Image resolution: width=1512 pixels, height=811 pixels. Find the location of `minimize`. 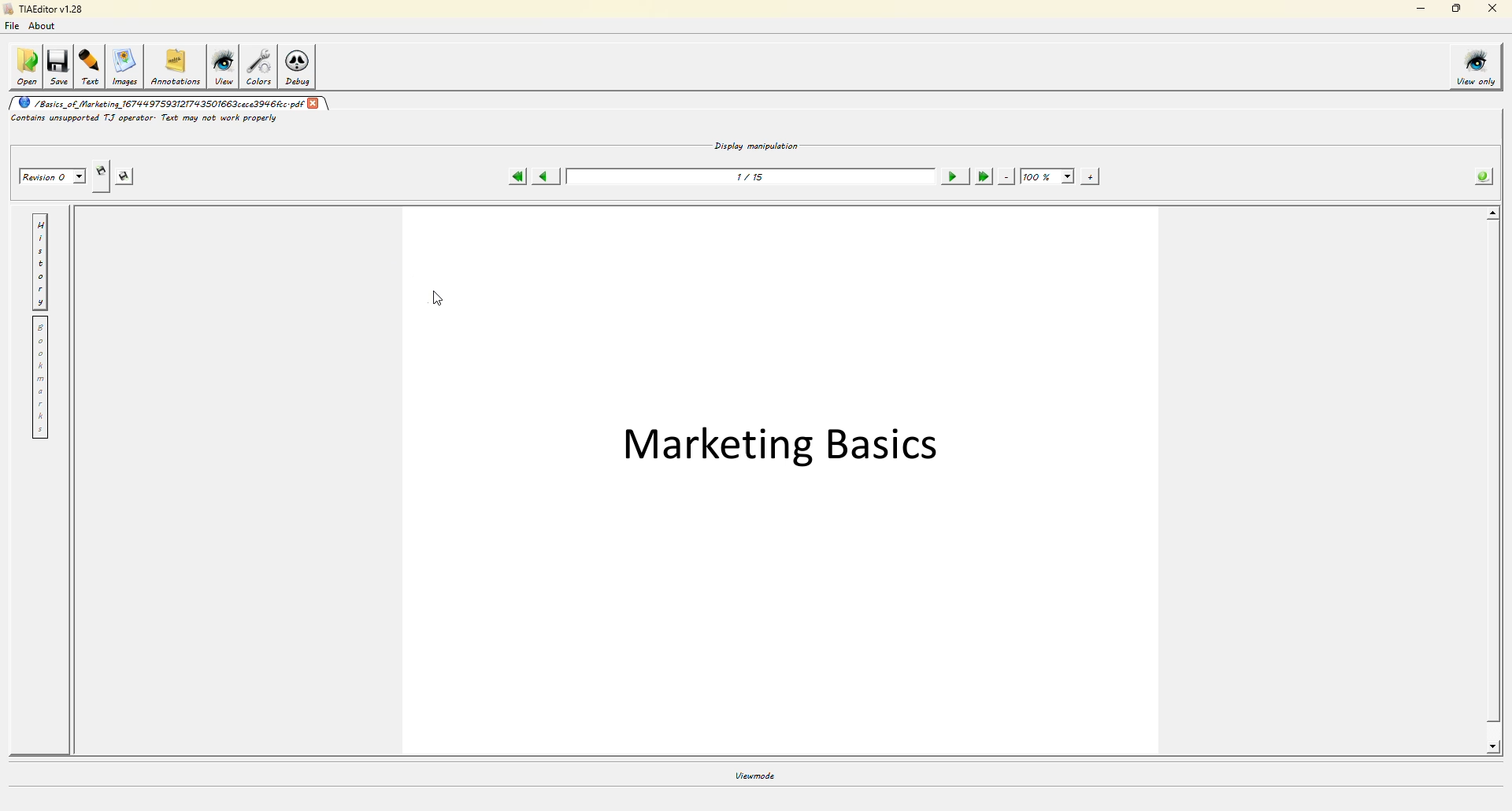

minimize is located at coordinates (1418, 9).